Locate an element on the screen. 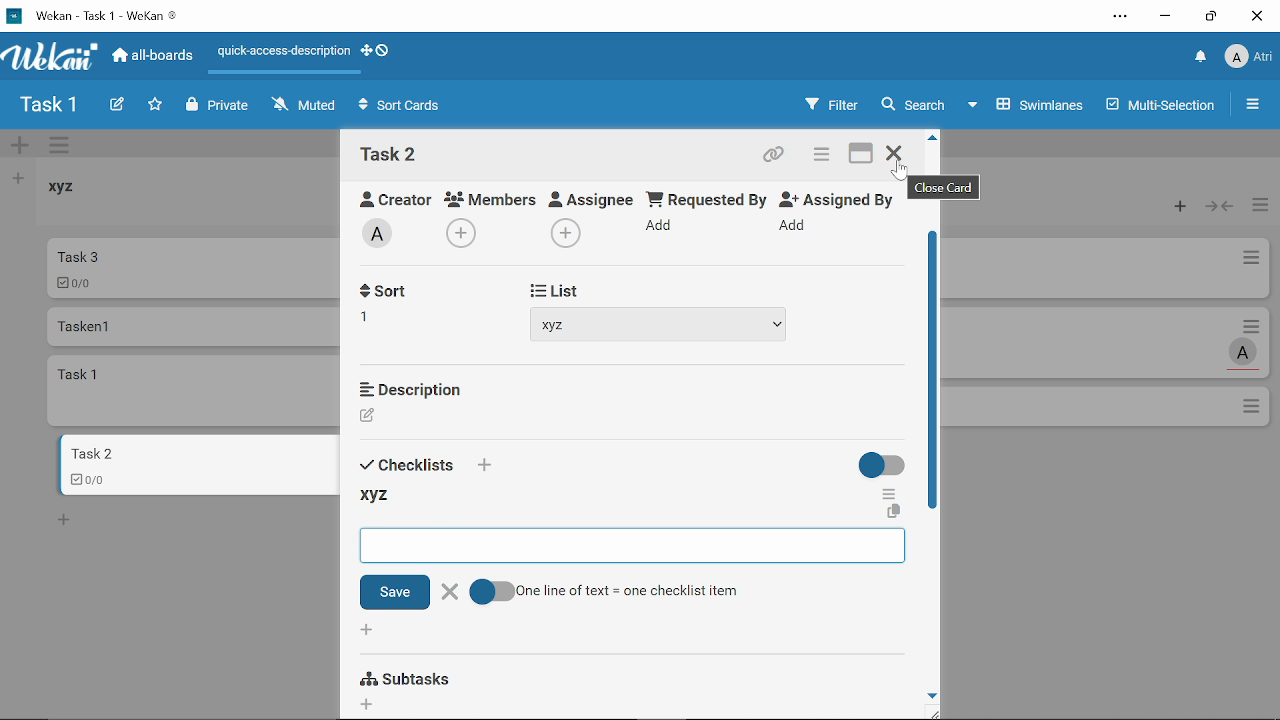 Image resolution: width=1280 pixels, height=720 pixels. Vertical scrollbar is located at coordinates (935, 365).